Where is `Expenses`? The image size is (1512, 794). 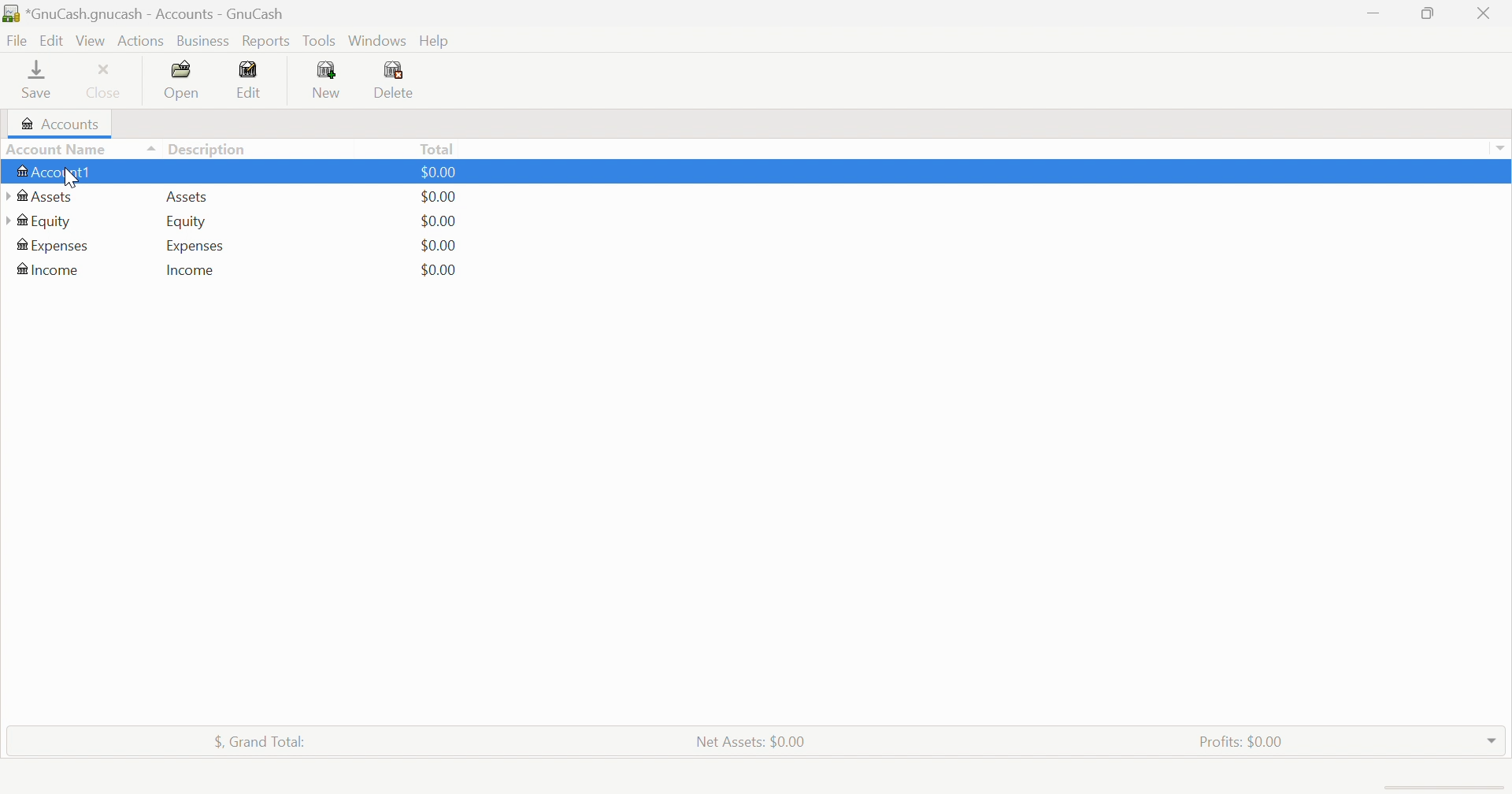
Expenses is located at coordinates (195, 248).